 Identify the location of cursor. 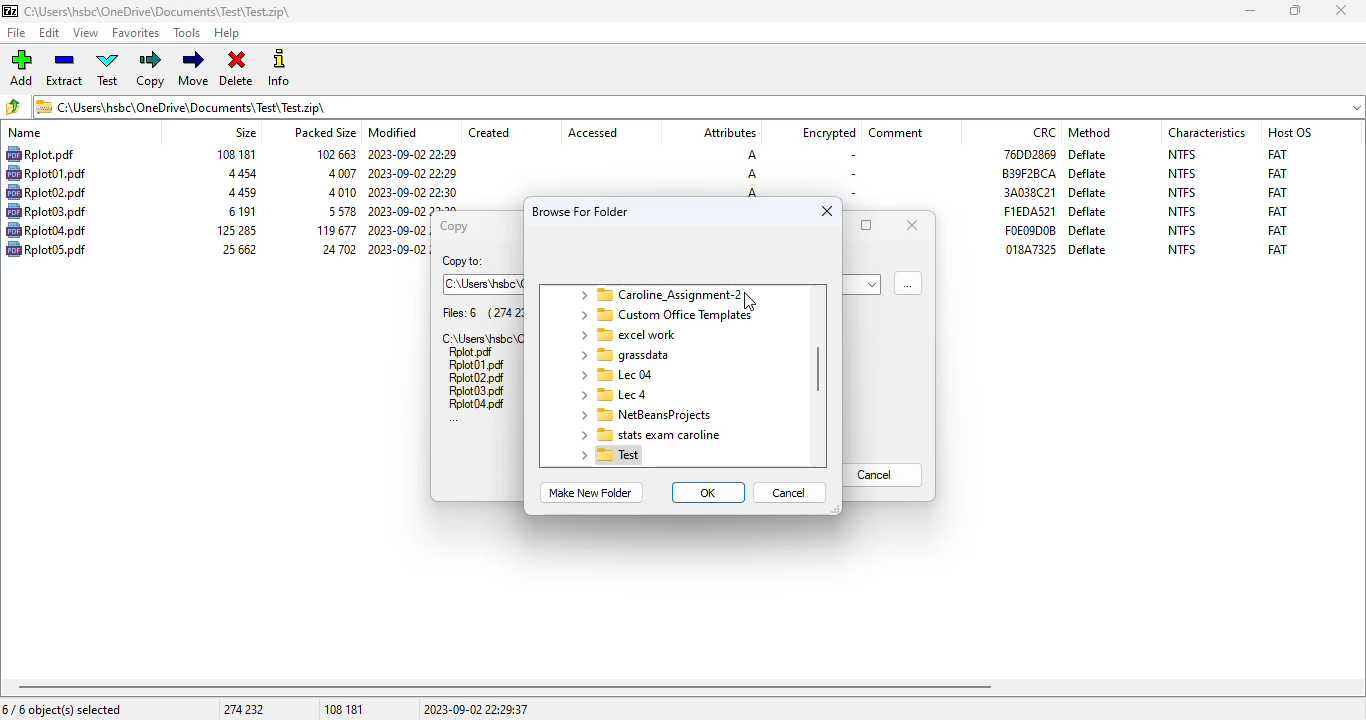
(752, 303).